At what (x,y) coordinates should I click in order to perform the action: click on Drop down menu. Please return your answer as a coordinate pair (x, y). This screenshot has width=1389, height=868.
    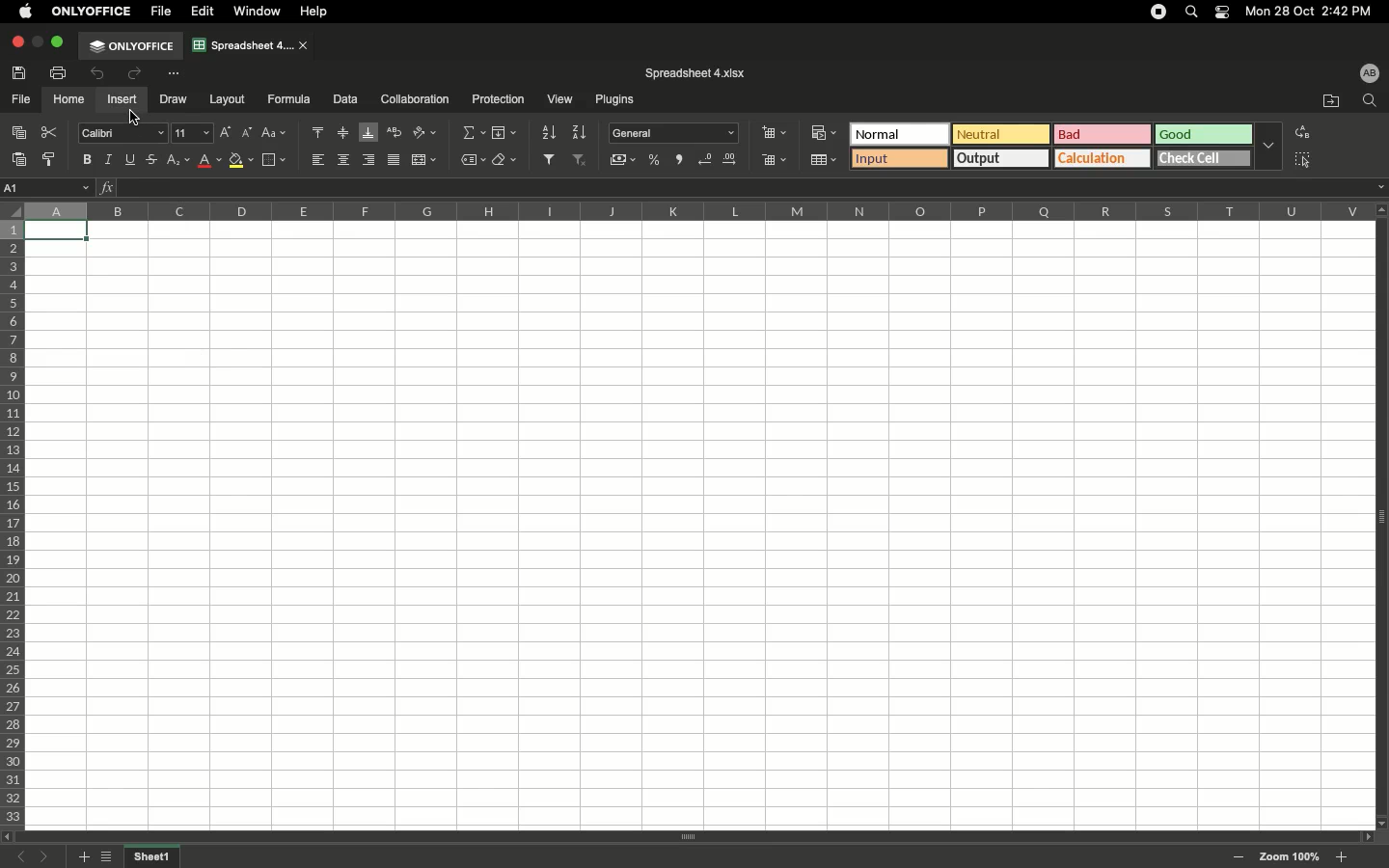
    Looking at the image, I should click on (1268, 145).